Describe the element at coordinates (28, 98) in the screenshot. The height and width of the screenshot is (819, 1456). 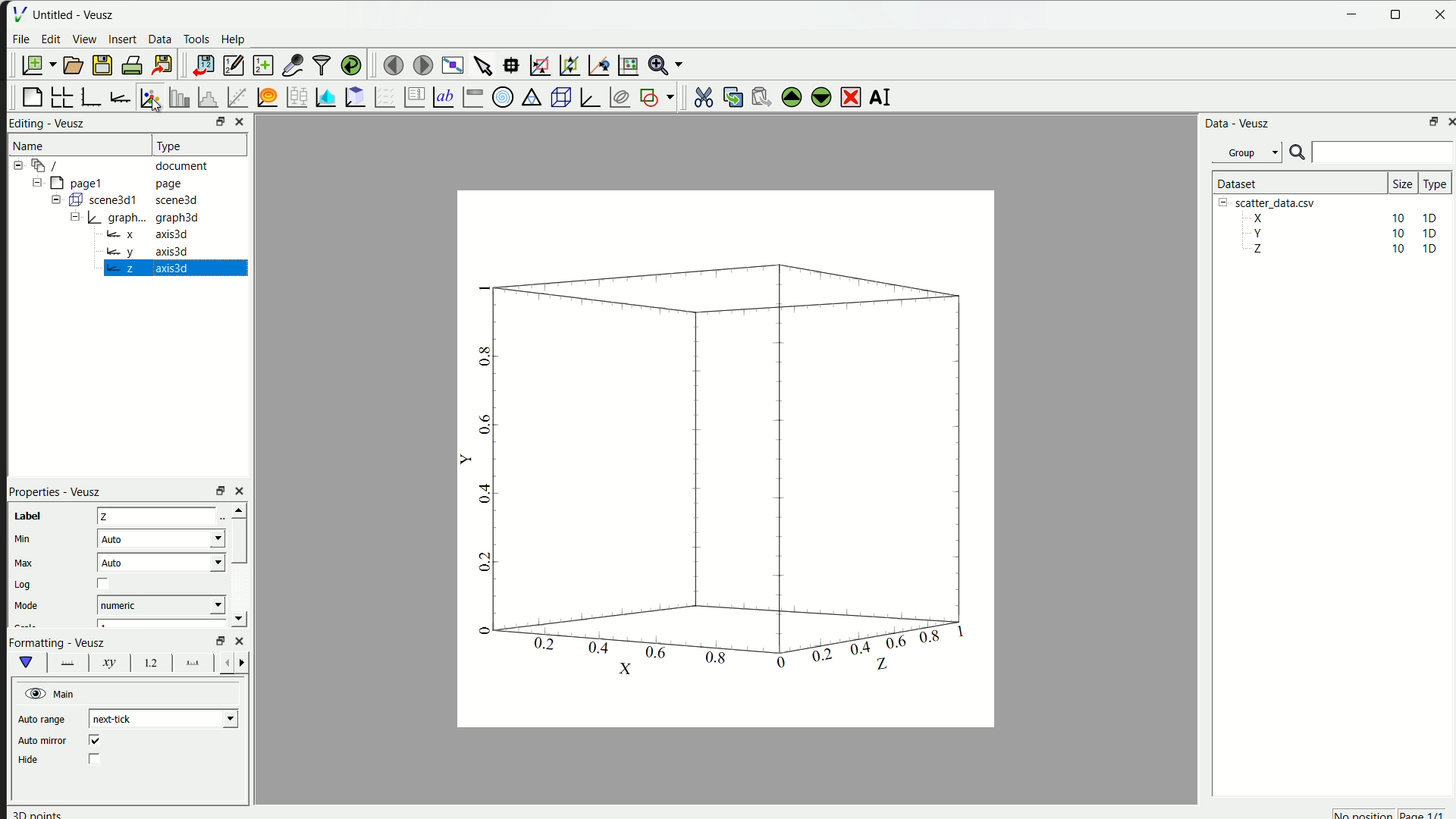
I see `blank page` at that location.